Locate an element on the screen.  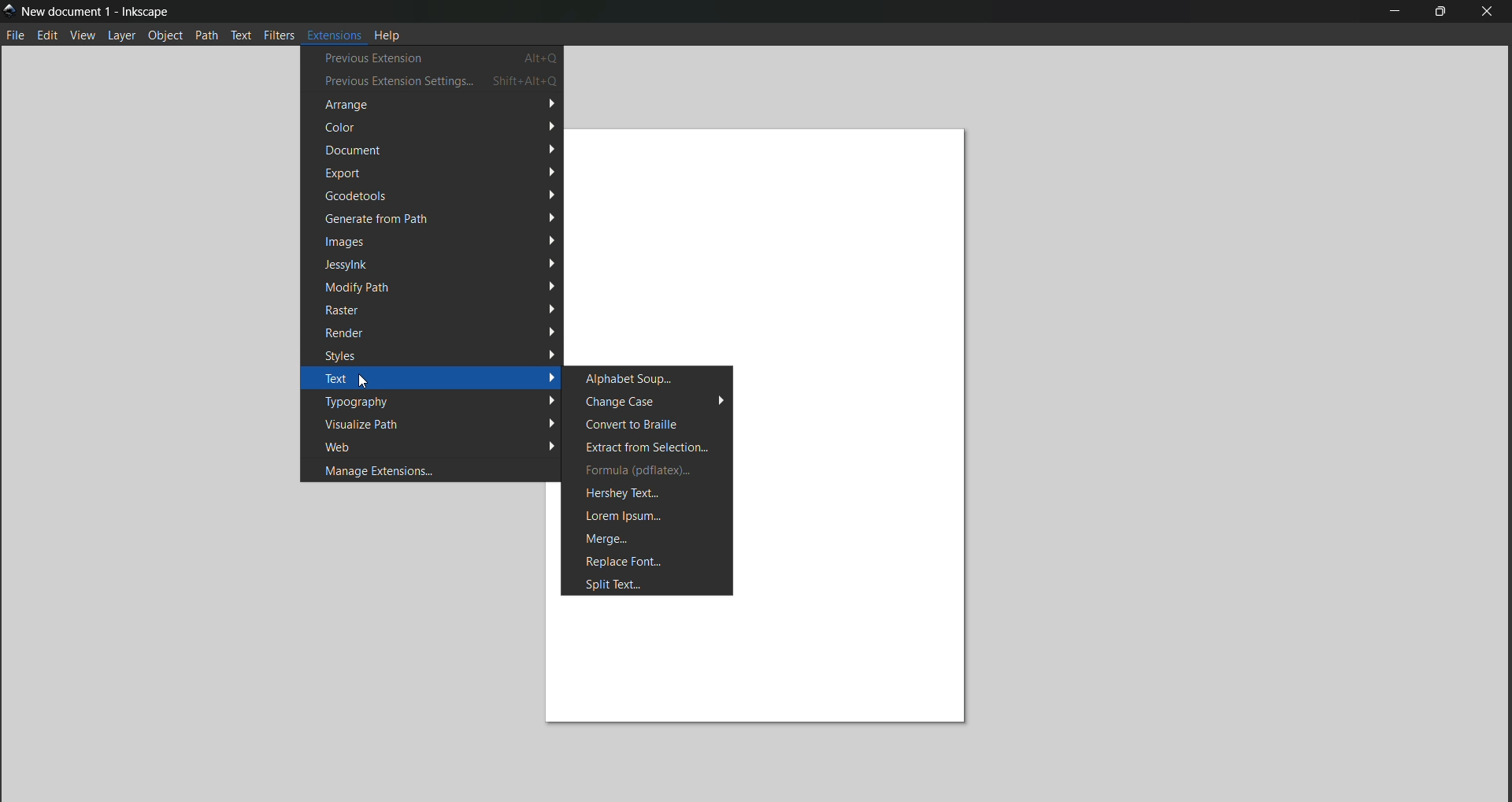
Extraction from Selection is located at coordinates (647, 447).